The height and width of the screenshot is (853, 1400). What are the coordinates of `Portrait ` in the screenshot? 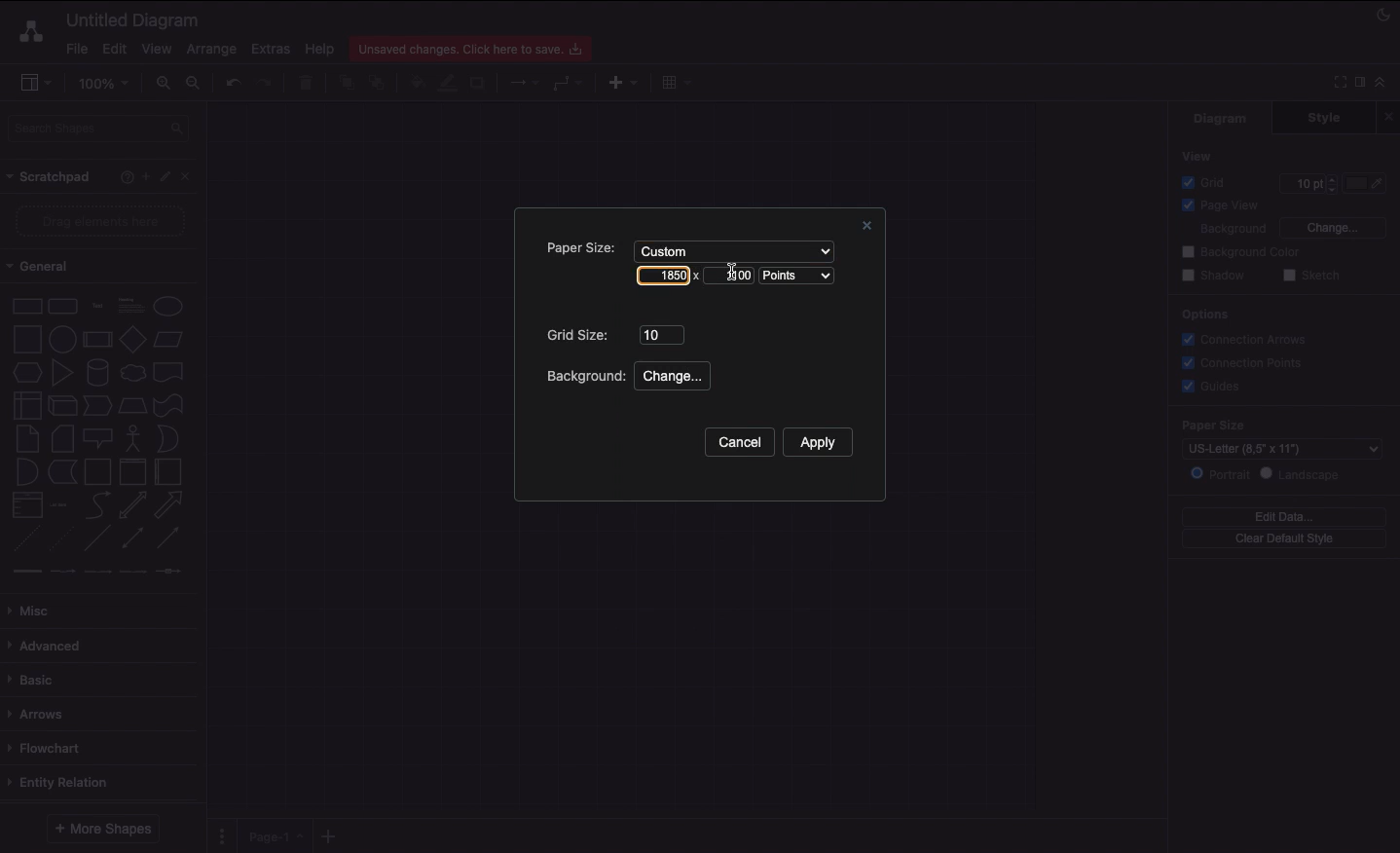 It's located at (1220, 473).